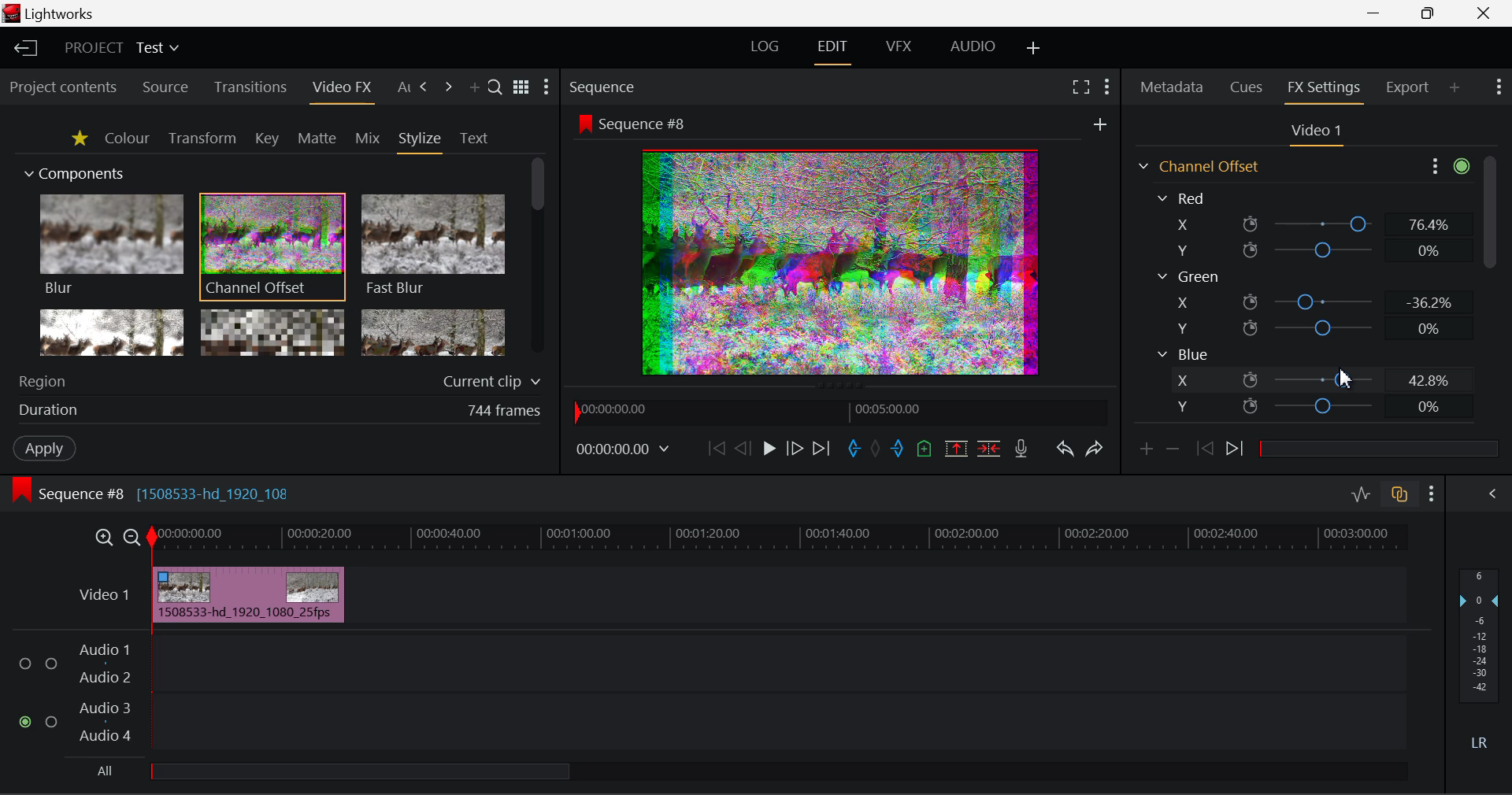  What do you see at coordinates (1398, 494) in the screenshot?
I see `Toggle auto track sync` at bounding box center [1398, 494].